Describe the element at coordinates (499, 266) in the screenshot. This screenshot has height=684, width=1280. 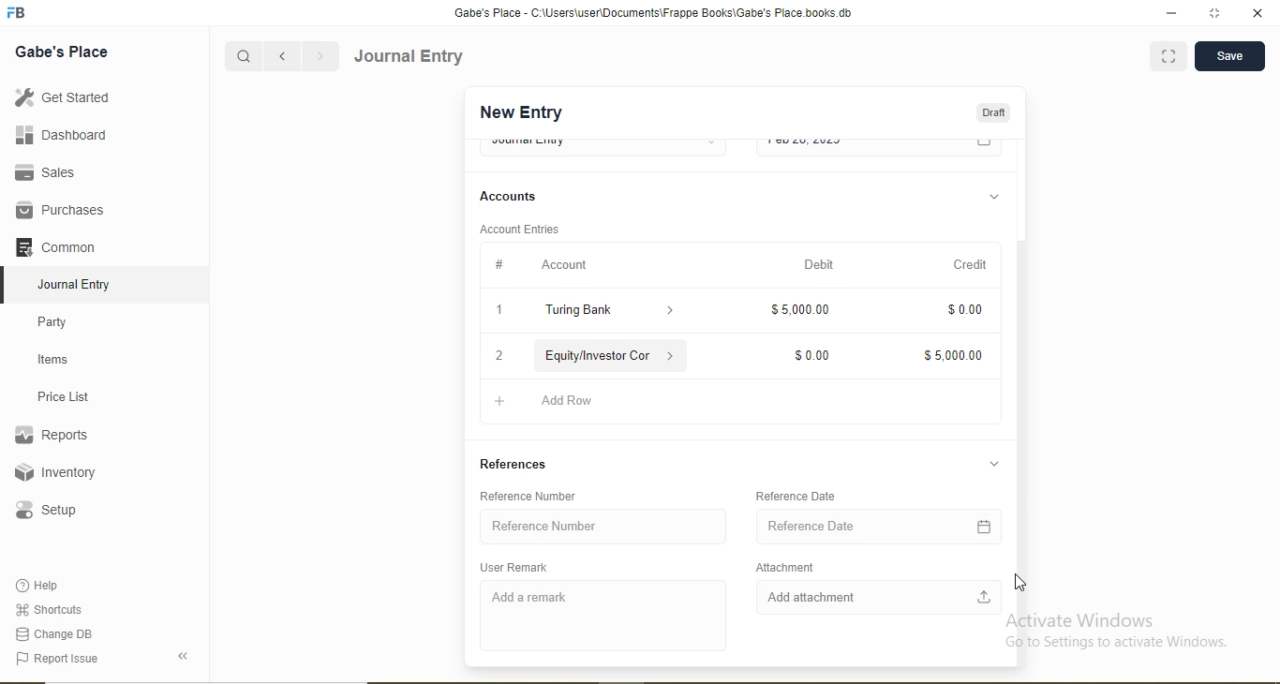
I see `#` at that location.